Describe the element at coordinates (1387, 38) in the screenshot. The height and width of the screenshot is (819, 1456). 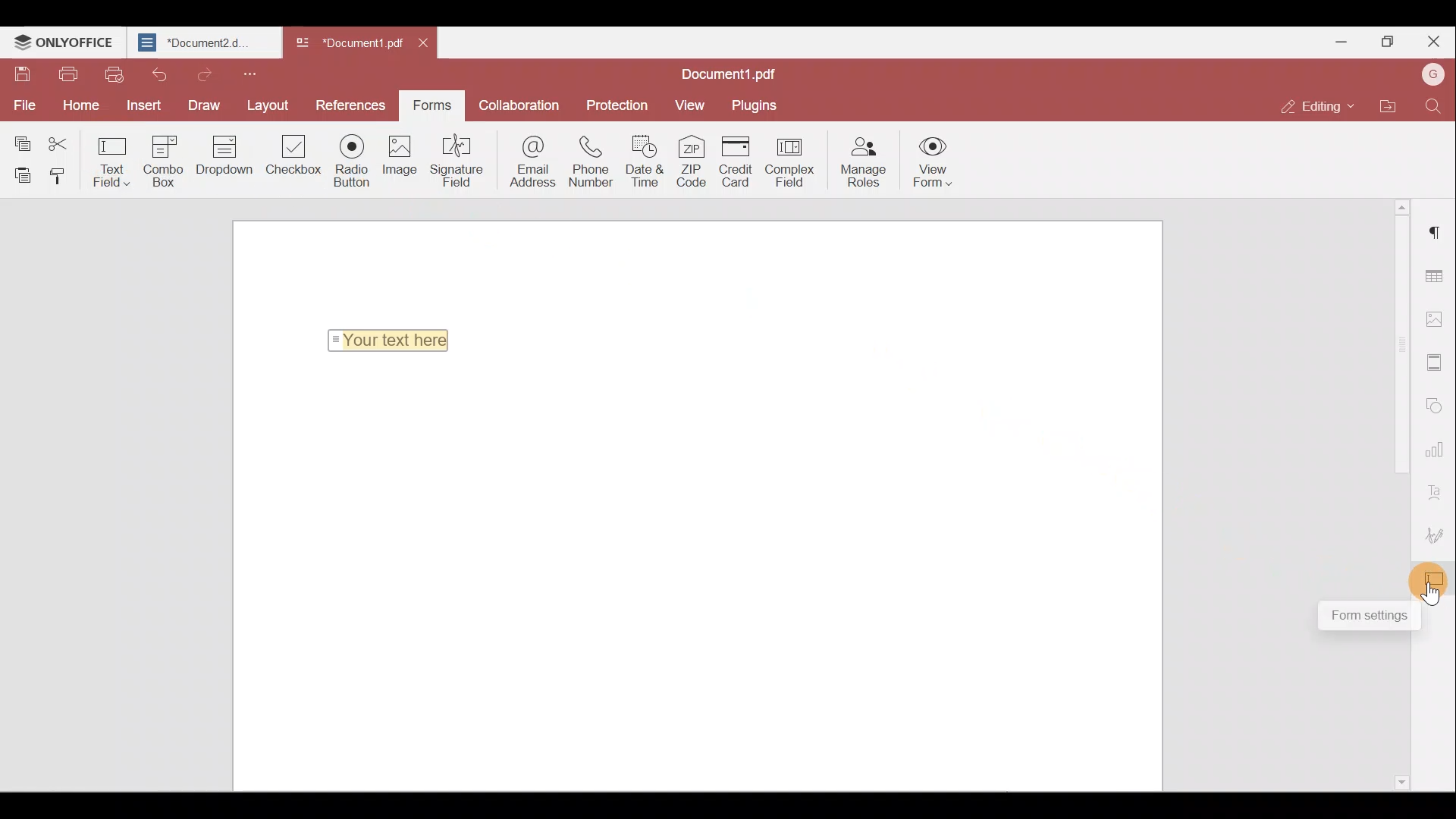
I see `Maximize` at that location.